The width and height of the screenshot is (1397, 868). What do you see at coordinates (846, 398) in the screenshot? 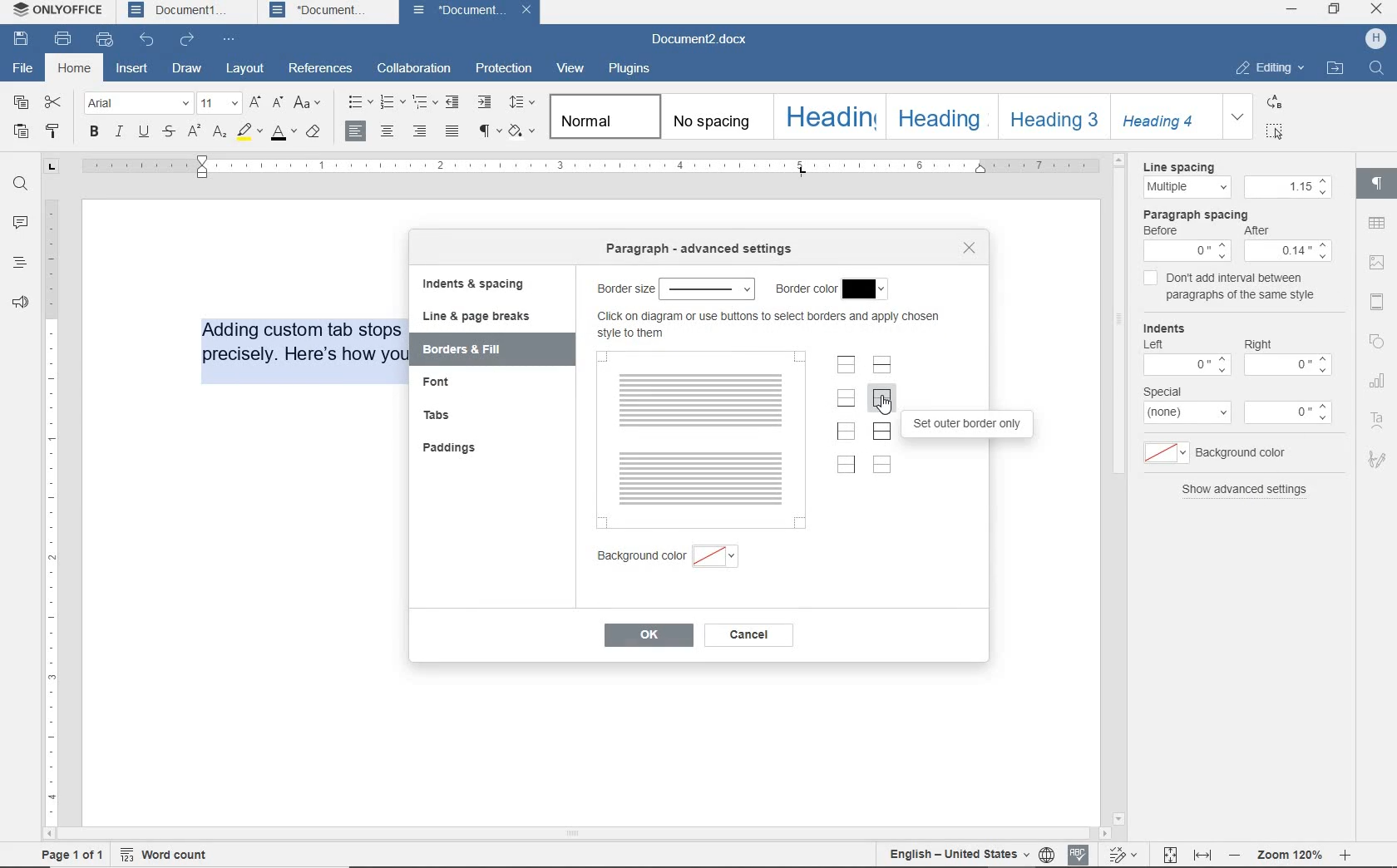
I see `set bottom border only` at bounding box center [846, 398].